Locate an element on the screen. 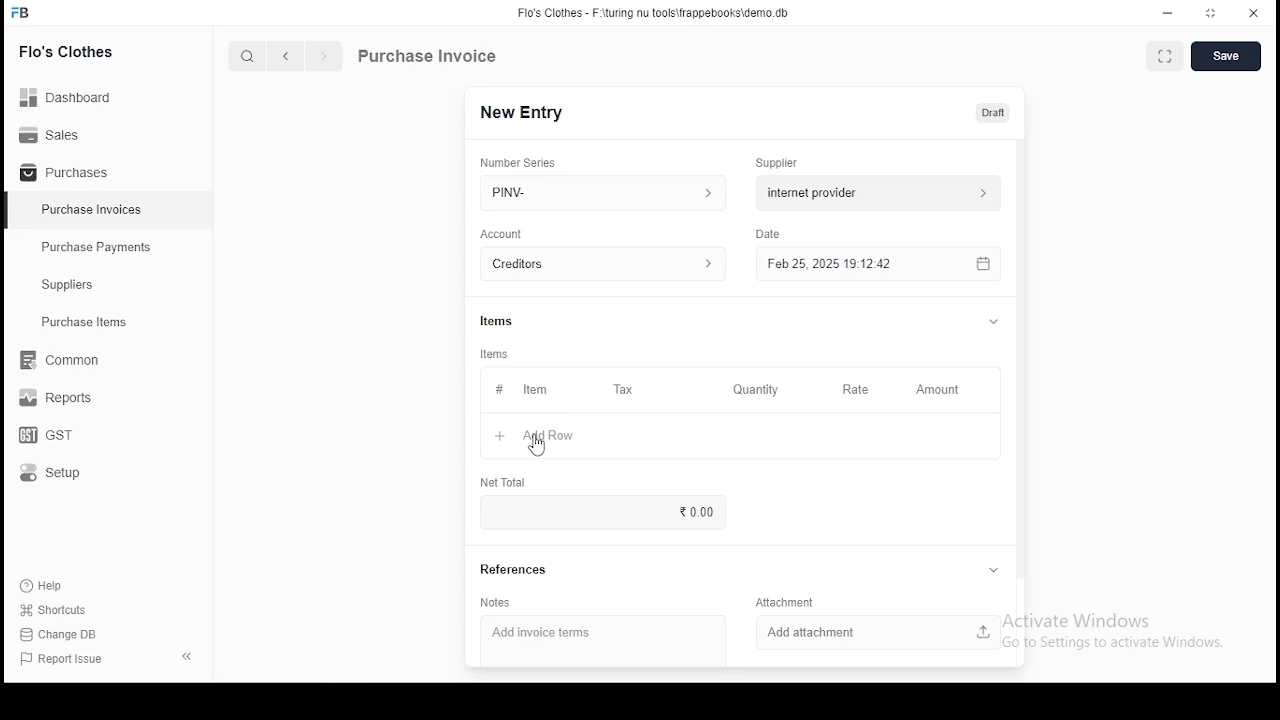 The width and height of the screenshot is (1280, 720). Supplier is located at coordinates (778, 163).